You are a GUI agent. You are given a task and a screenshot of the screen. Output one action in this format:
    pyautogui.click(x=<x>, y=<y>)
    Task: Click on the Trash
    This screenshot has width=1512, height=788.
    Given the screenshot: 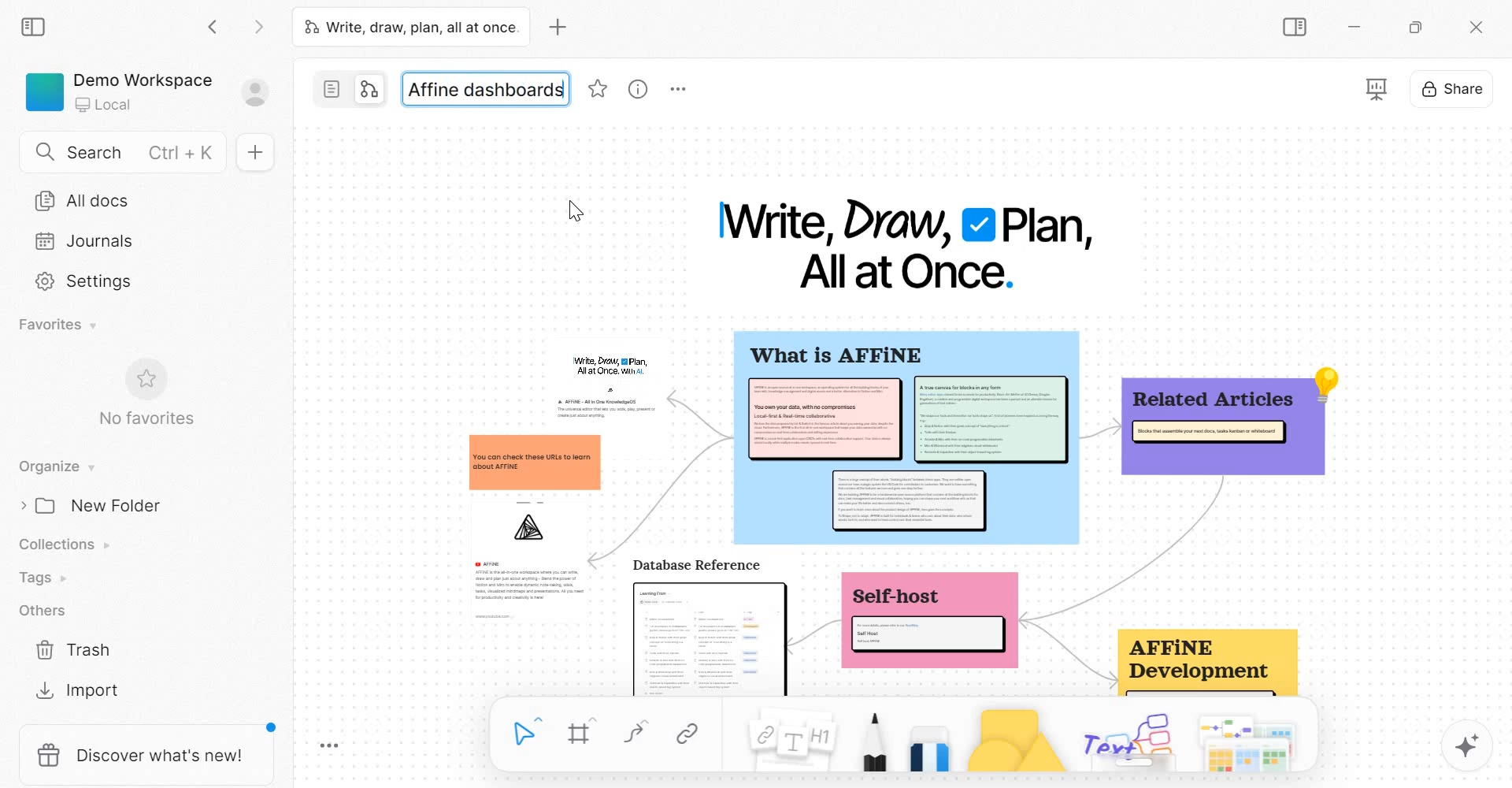 What is the action you would take?
    pyautogui.click(x=73, y=647)
    